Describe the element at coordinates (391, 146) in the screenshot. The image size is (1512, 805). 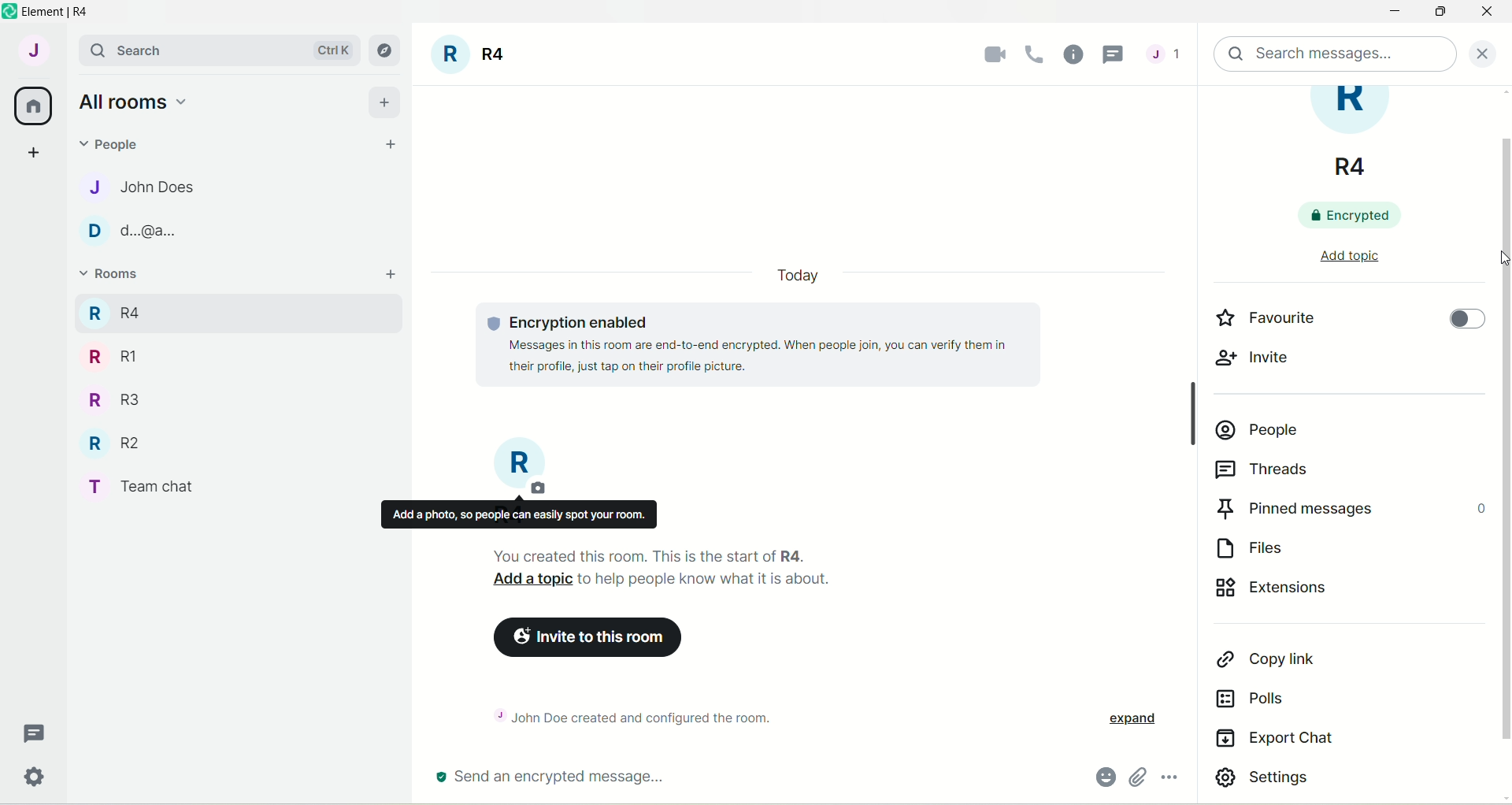
I see `start chat` at that location.